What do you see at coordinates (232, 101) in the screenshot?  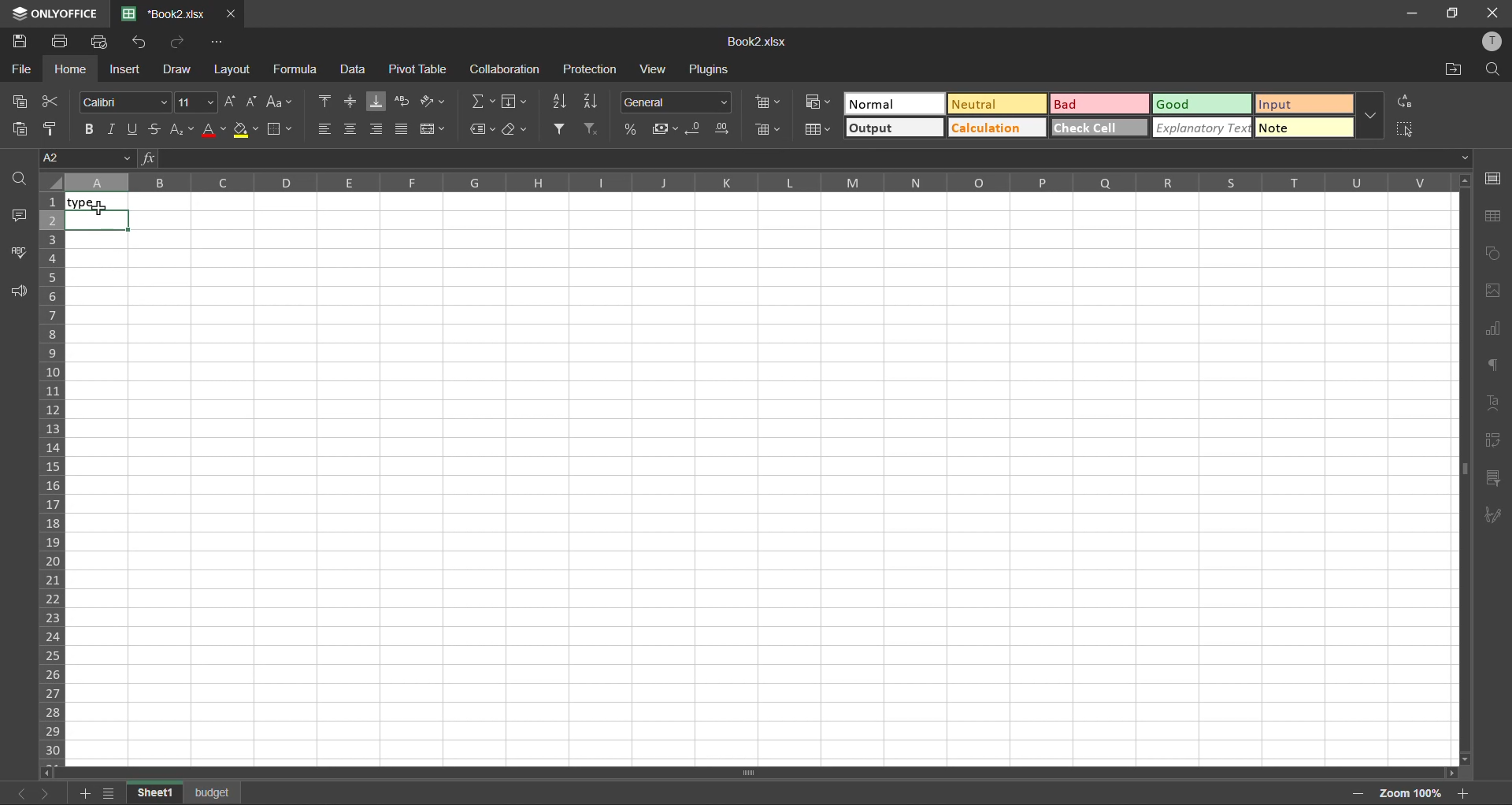 I see `increment size` at bounding box center [232, 101].